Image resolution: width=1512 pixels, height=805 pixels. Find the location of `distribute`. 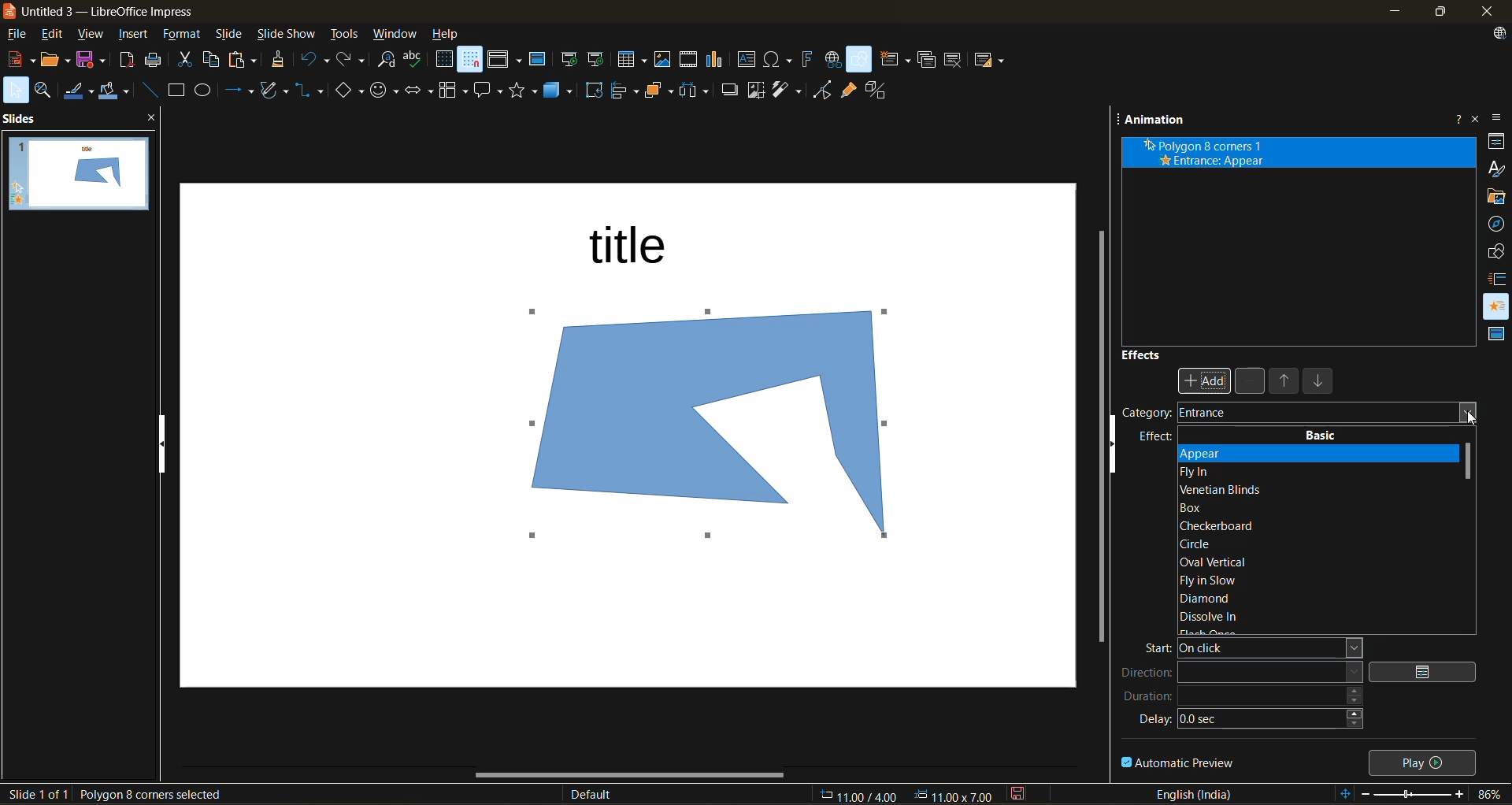

distribute is located at coordinates (697, 91).